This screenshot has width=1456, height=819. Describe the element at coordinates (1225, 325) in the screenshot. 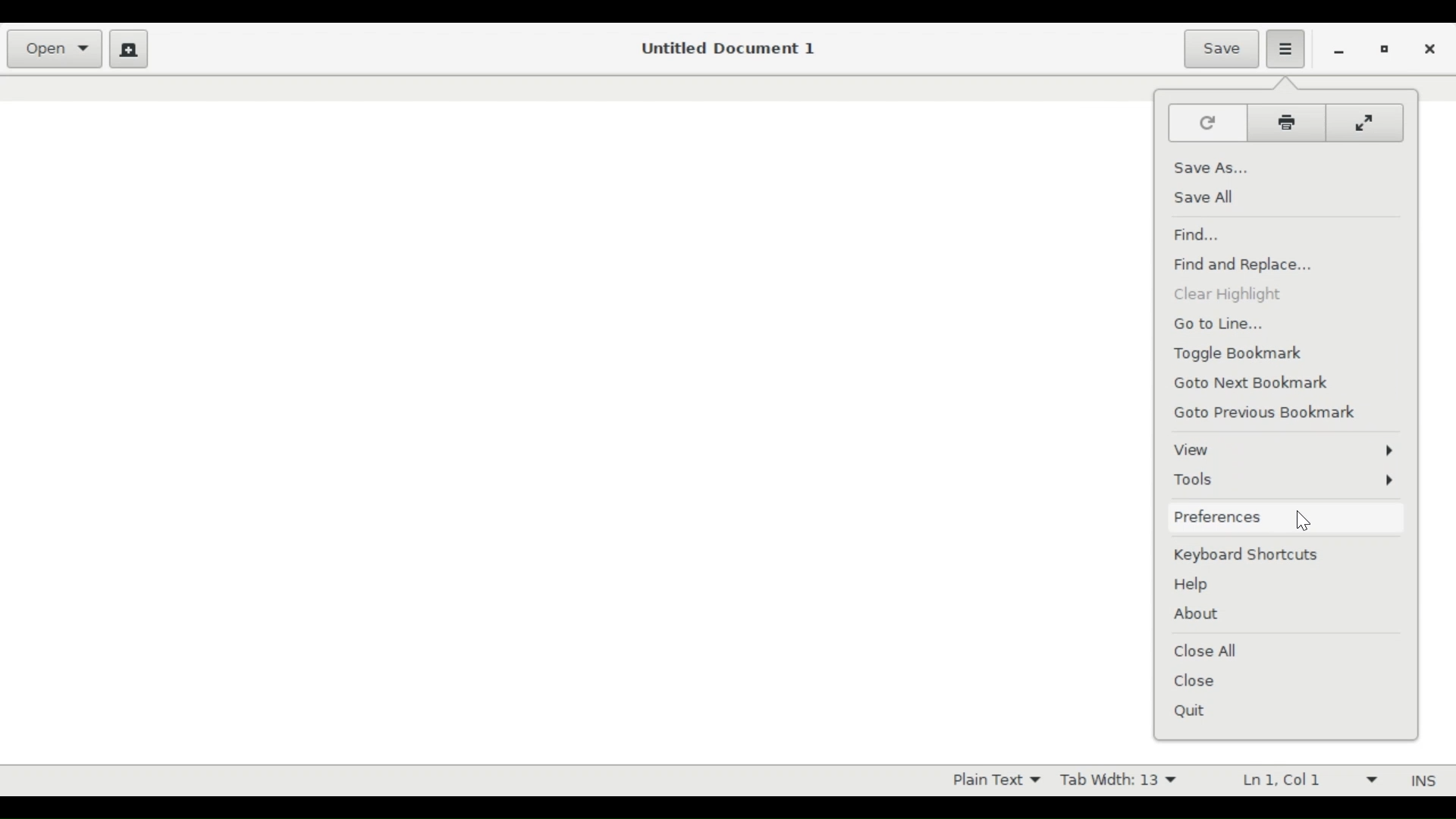

I see `Go to line` at that location.